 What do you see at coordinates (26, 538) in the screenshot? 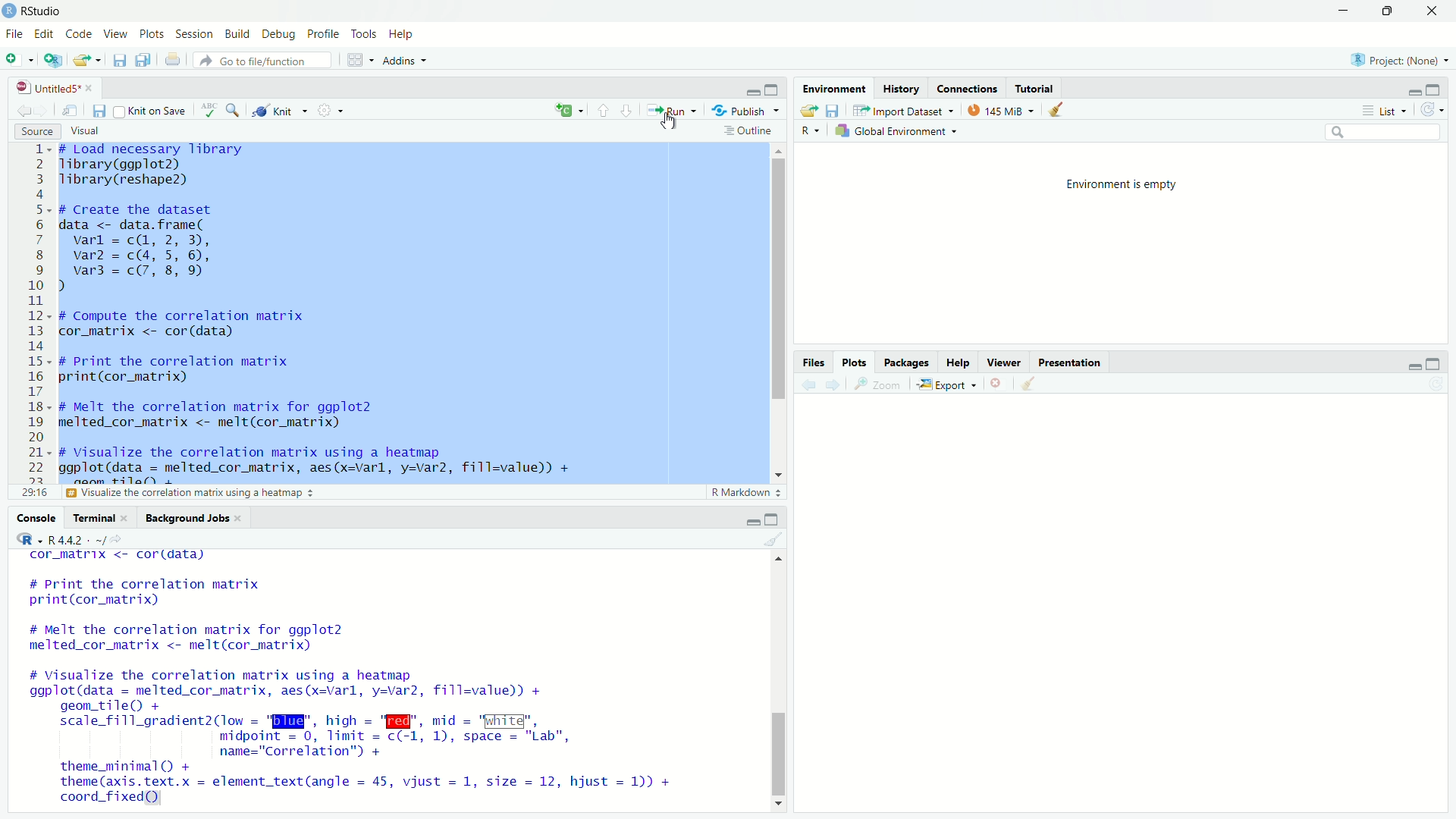
I see `R language` at bounding box center [26, 538].